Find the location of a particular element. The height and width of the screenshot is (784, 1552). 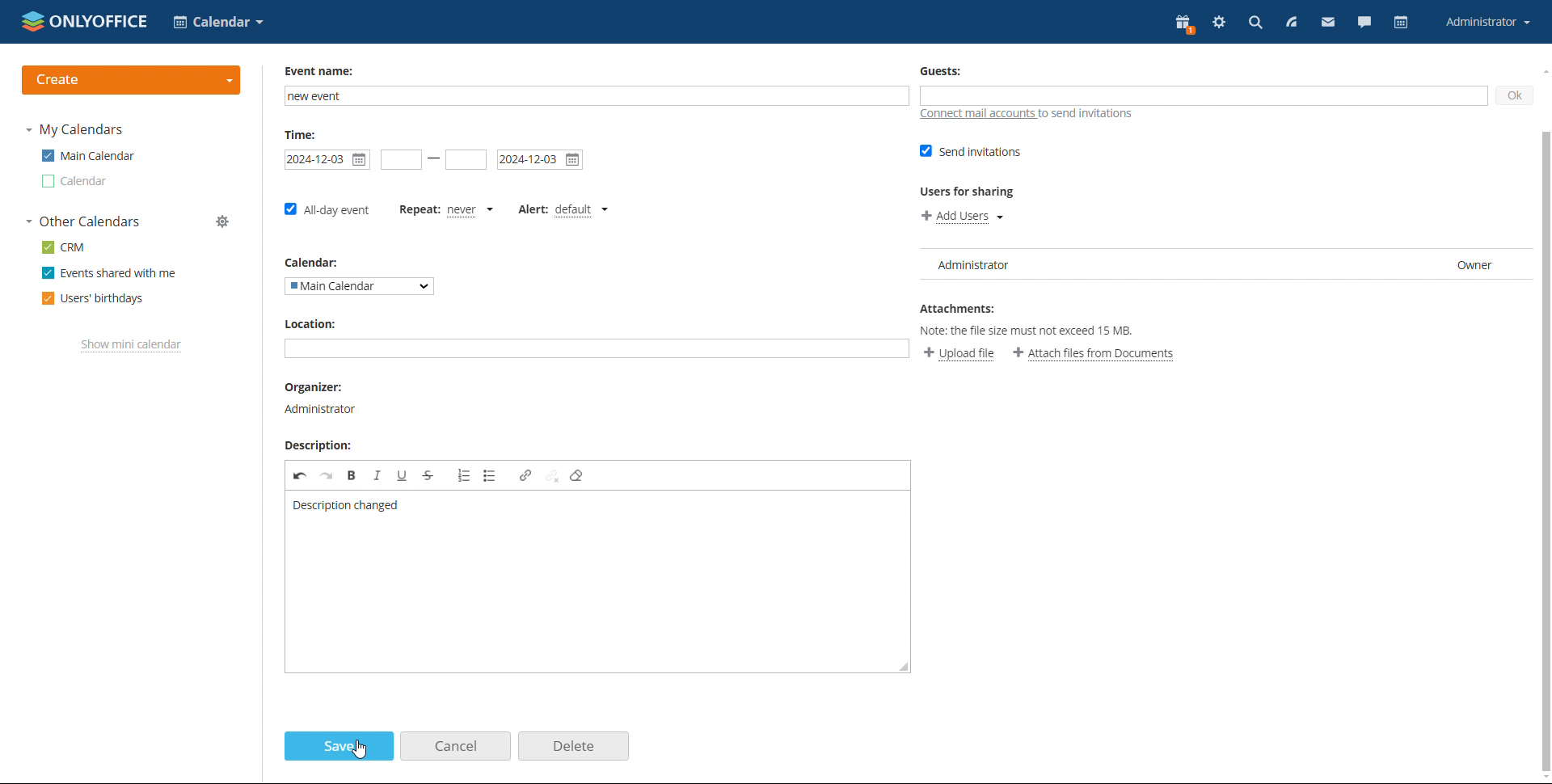

mail is located at coordinates (1327, 23).